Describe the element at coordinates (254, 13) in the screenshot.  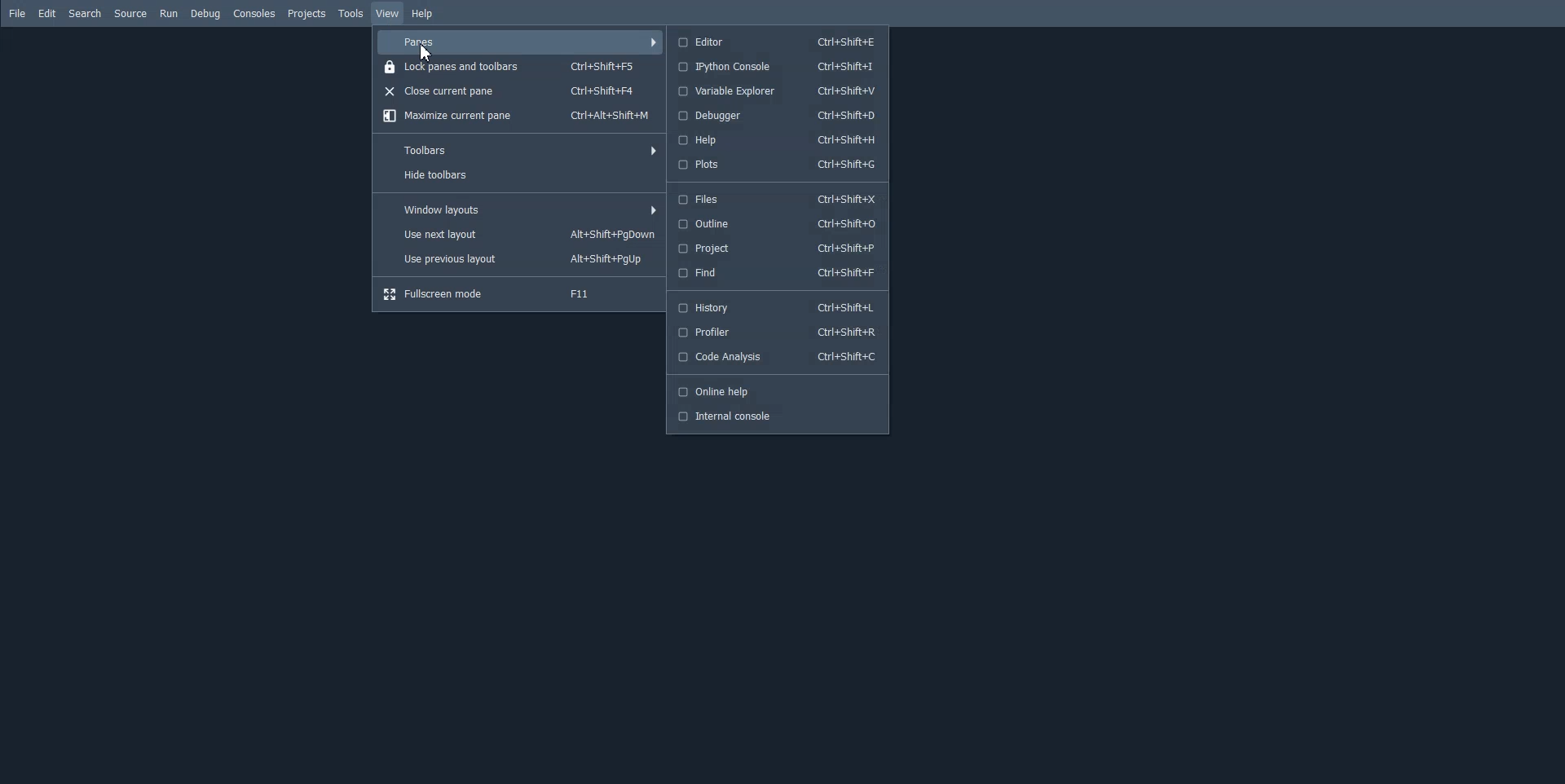
I see `Consoles` at that location.